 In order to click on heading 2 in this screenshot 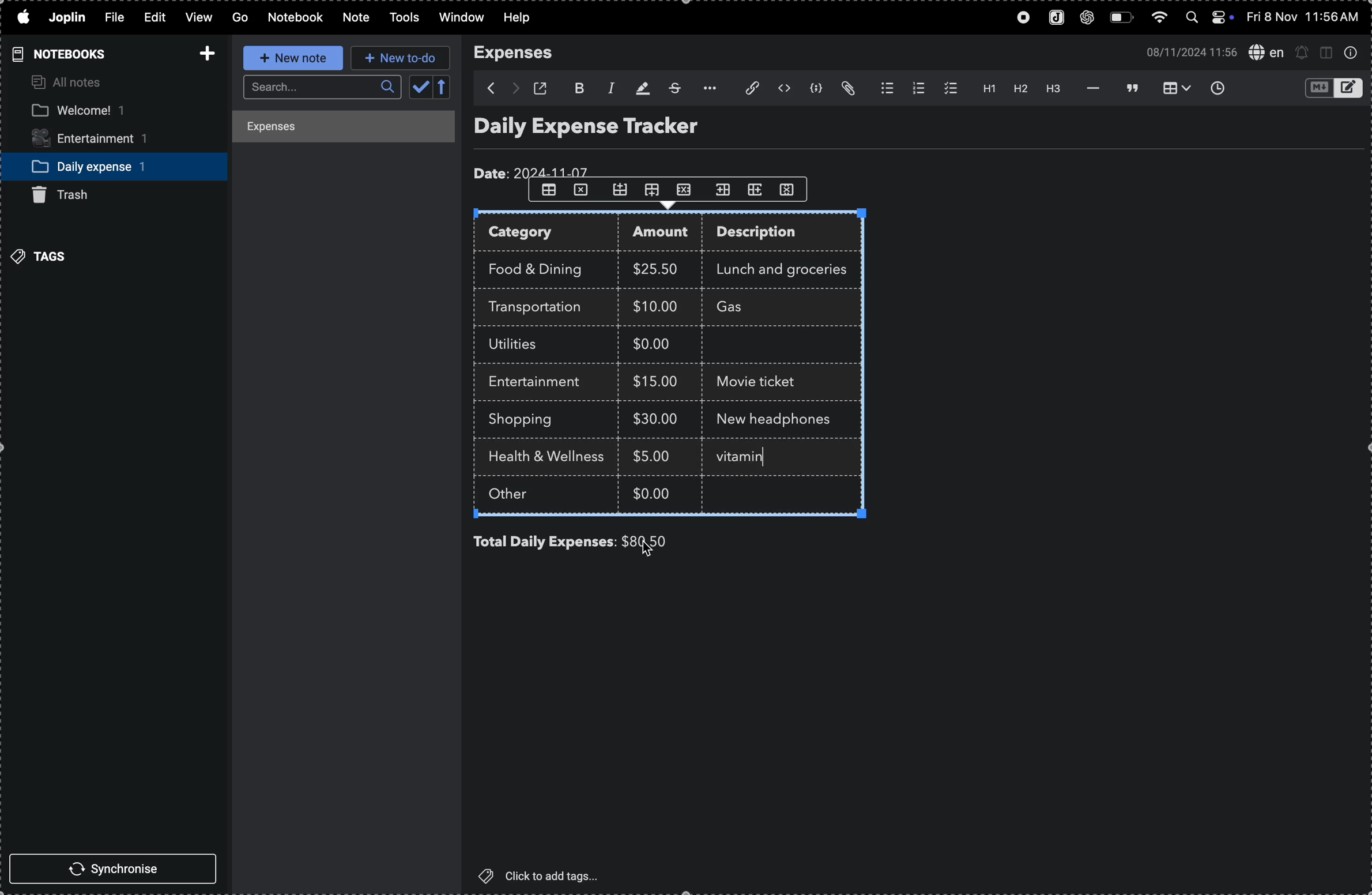, I will do `click(1020, 91)`.